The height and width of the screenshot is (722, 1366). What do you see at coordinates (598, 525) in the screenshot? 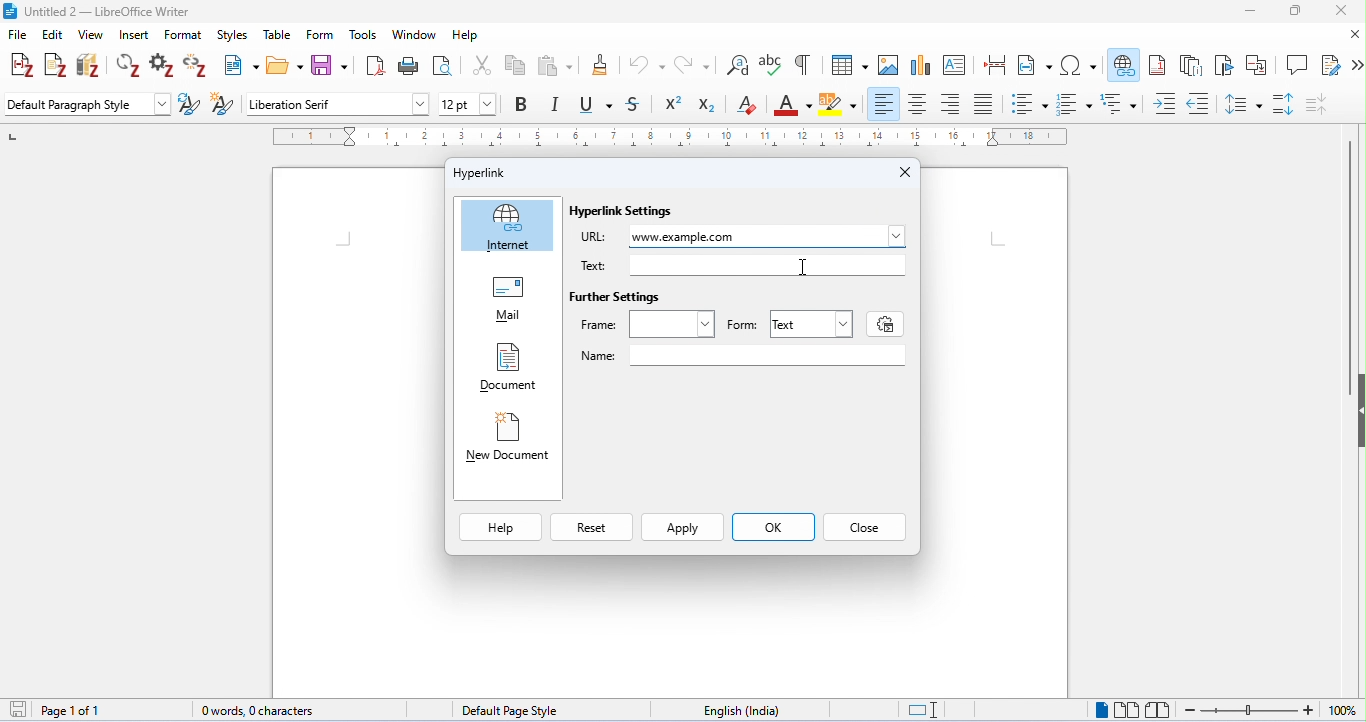
I see `Reset` at bounding box center [598, 525].